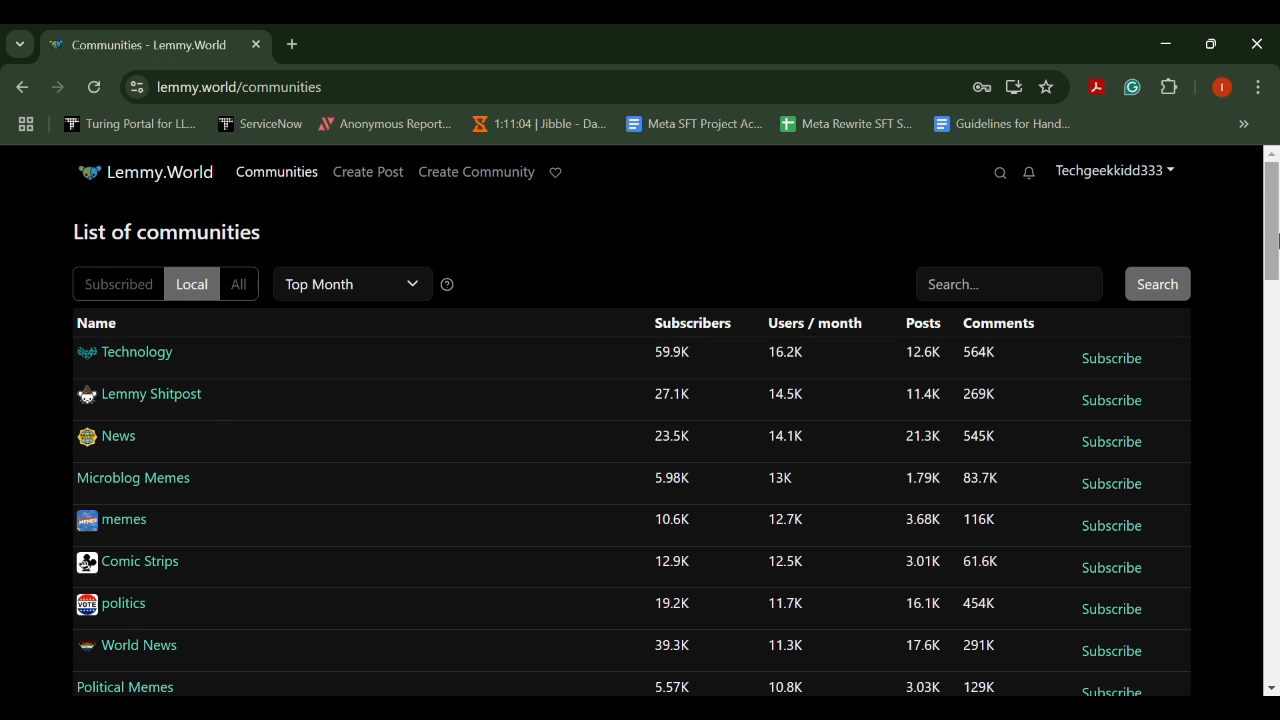  Describe the element at coordinates (1111, 694) in the screenshot. I see `Subscribe` at that location.